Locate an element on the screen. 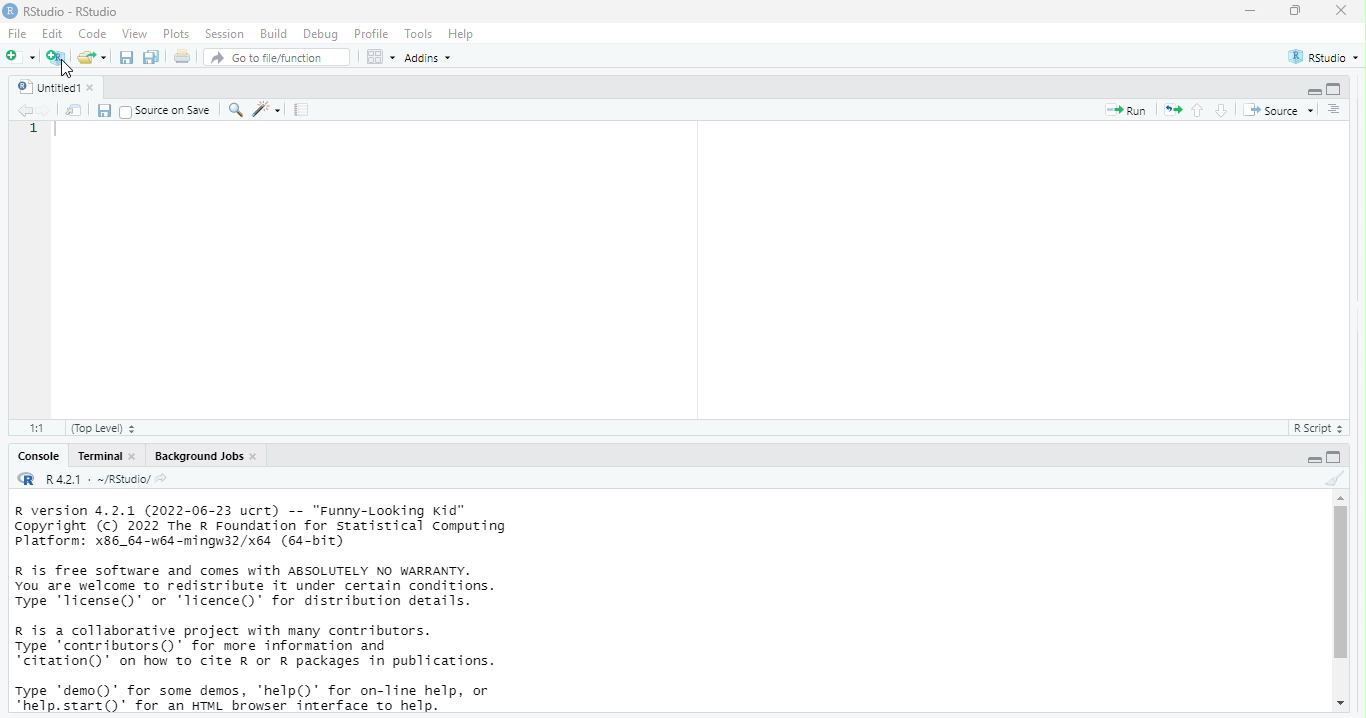 The width and height of the screenshot is (1366, 718). plots is located at coordinates (177, 33).